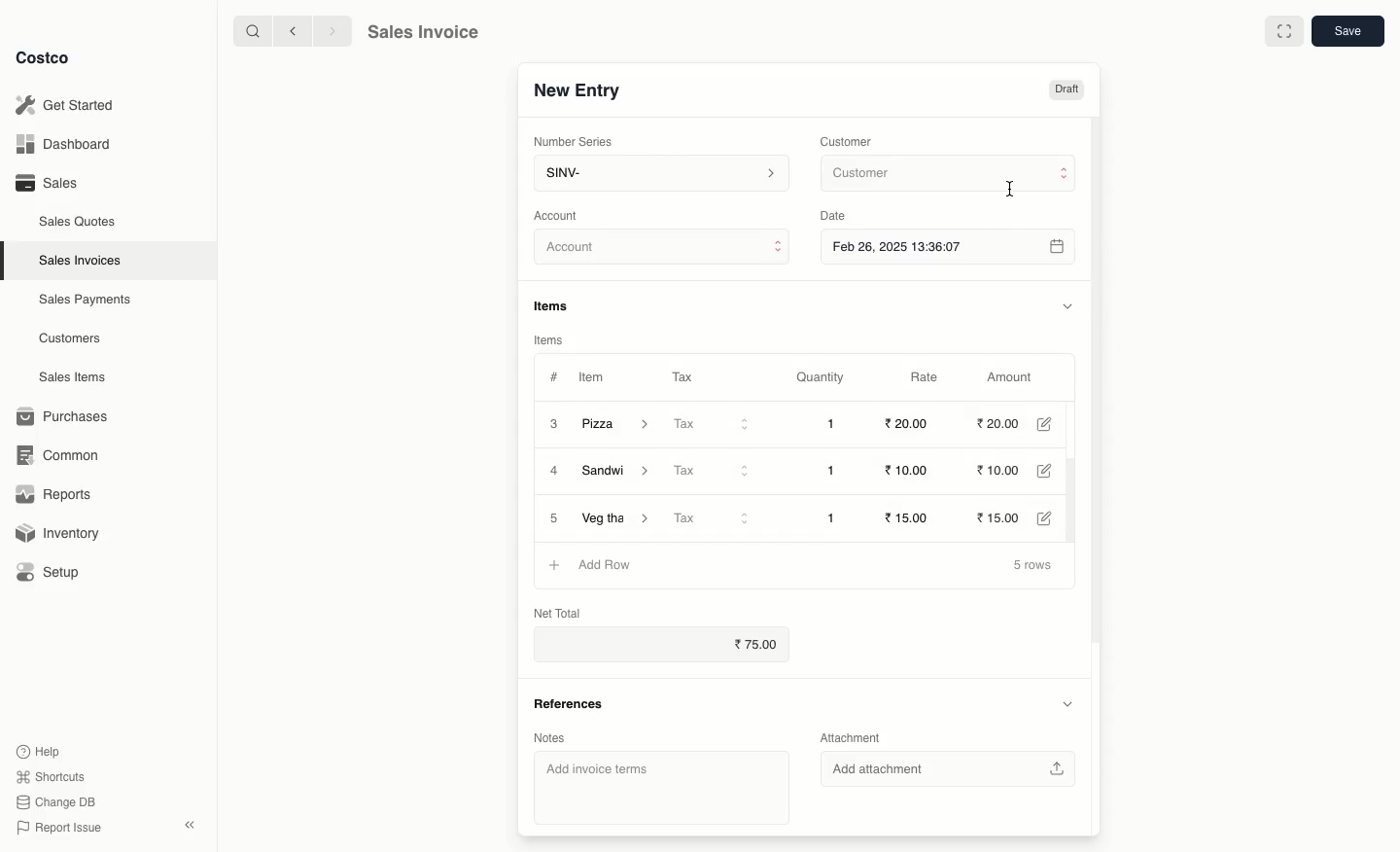 The image size is (1400, 852). Describe the element at coordinates (1067, 90) in the screenshot. I see `Draft` at that location.